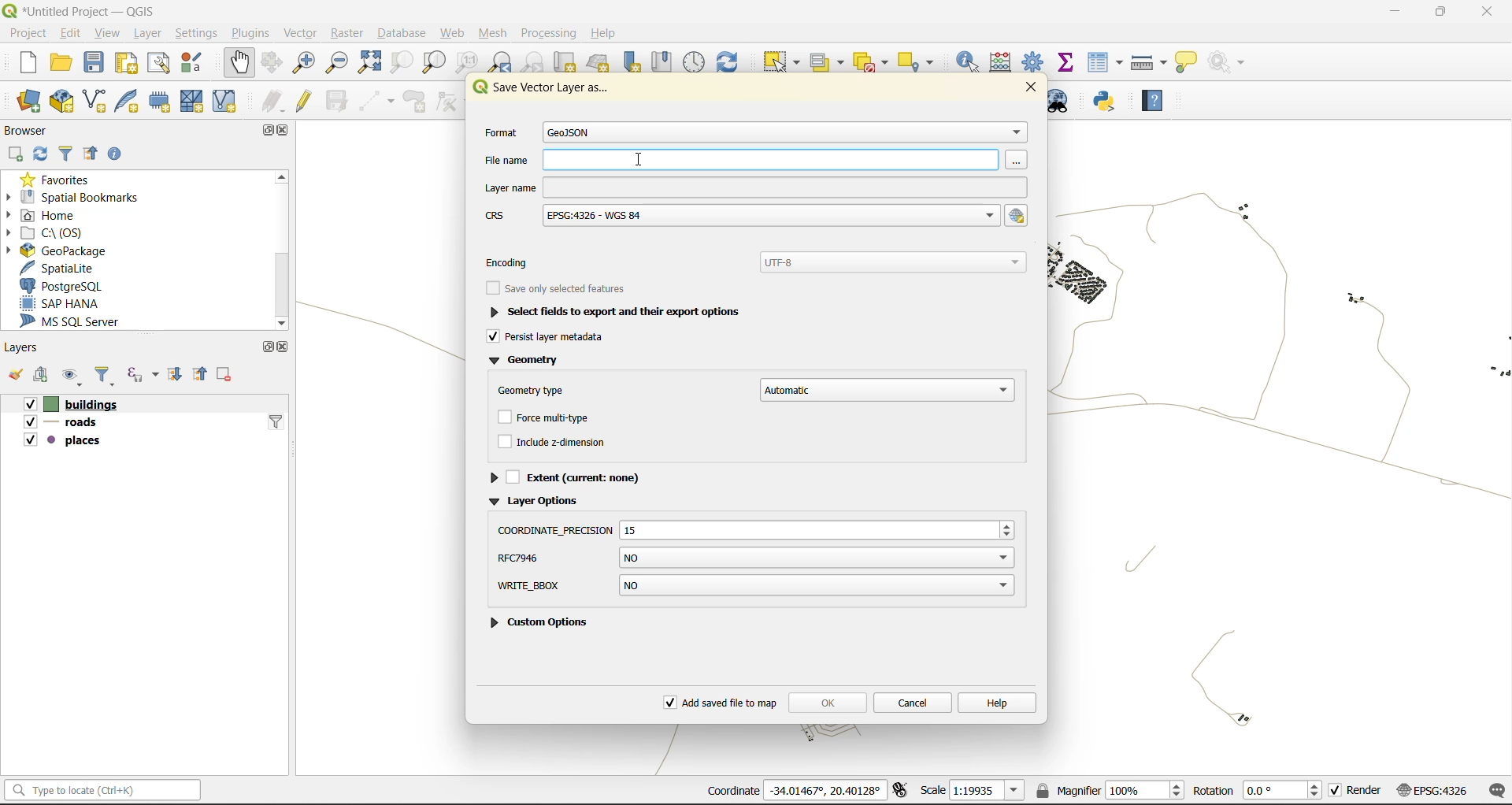  I want to click on geopackage, so click(72, 252).